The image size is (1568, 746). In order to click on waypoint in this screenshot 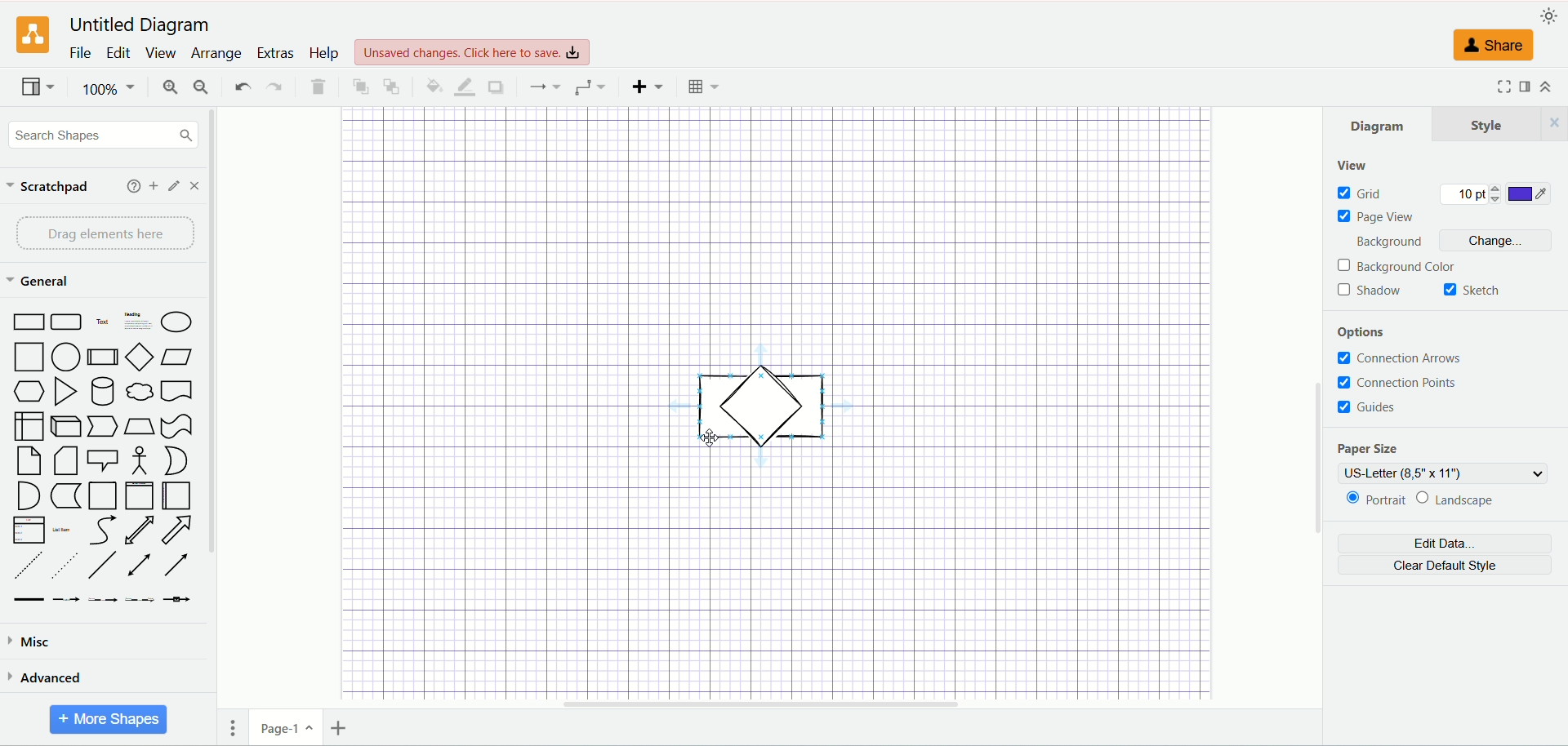, I will do `click(546, 86)`.